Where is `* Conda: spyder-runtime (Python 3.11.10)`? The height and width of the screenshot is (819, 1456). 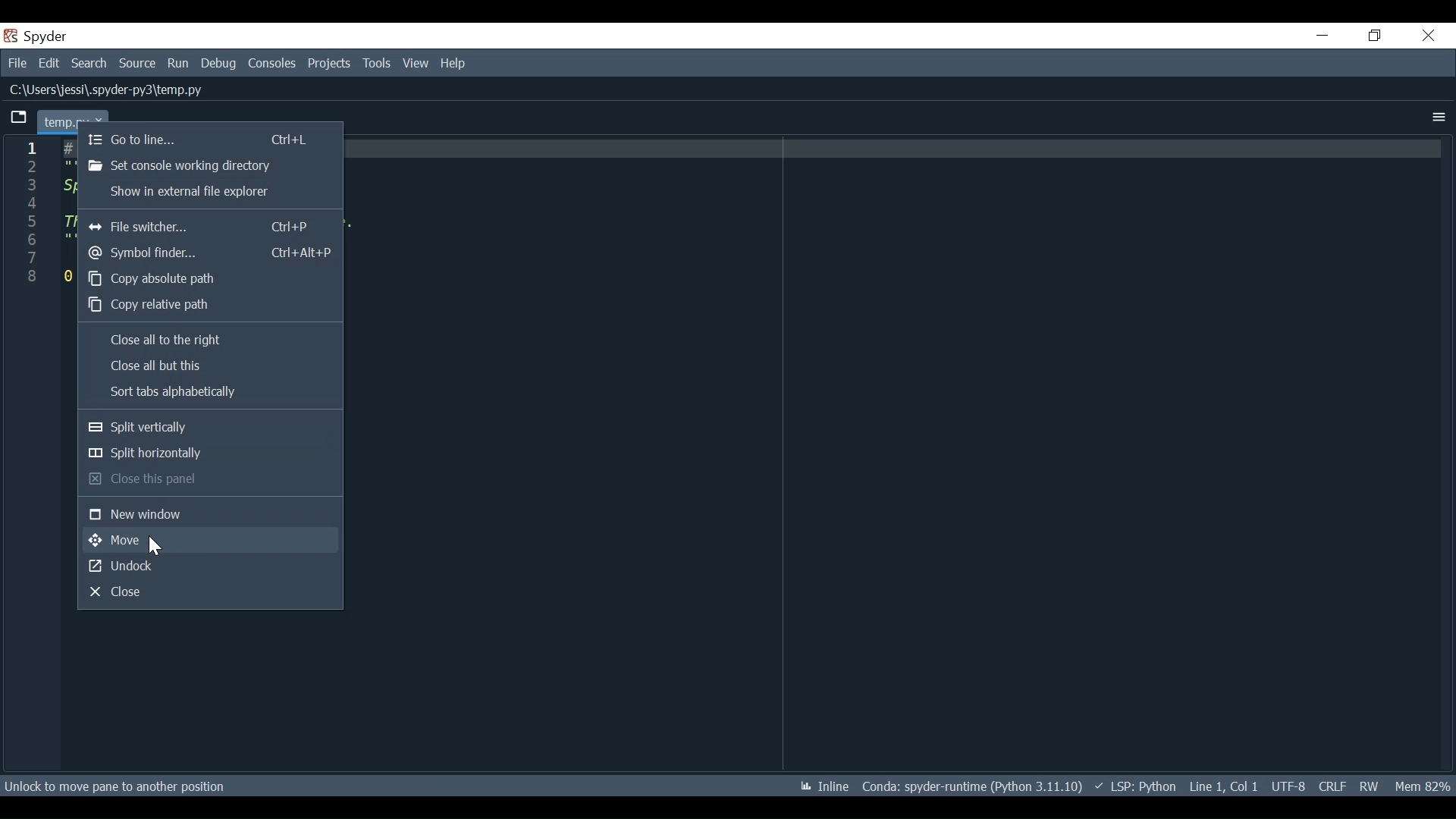
* Conda: spyder-runtime (Python 3.11.10) is located at coordinates (971, 788).